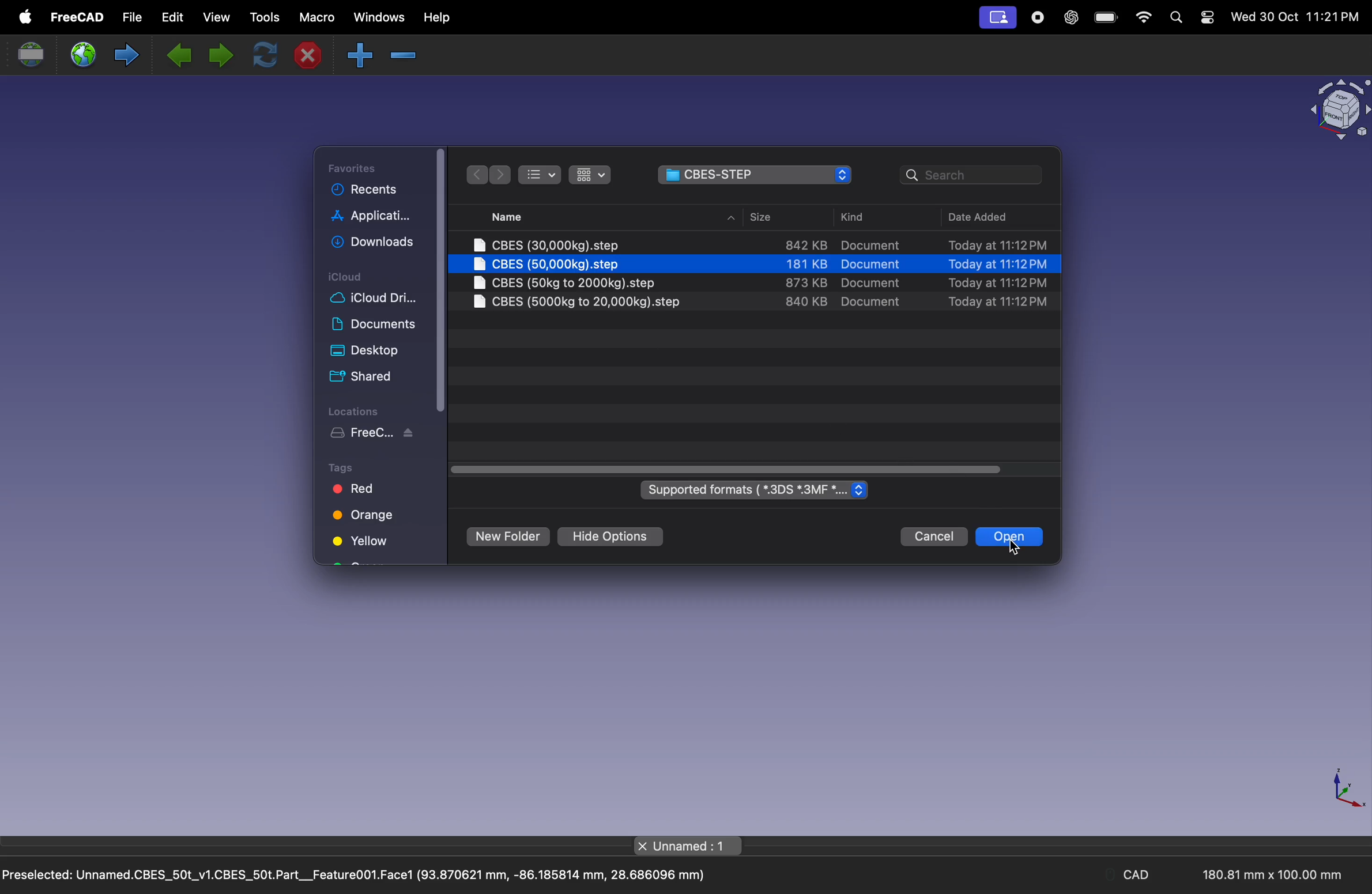 The width and height of the screenshot is (1372, 894). What do you see at coordinates (1268, 875) in the screenshot?
I see `180.81 mm x 100.00 mm` at bounding box center [1268, 875].